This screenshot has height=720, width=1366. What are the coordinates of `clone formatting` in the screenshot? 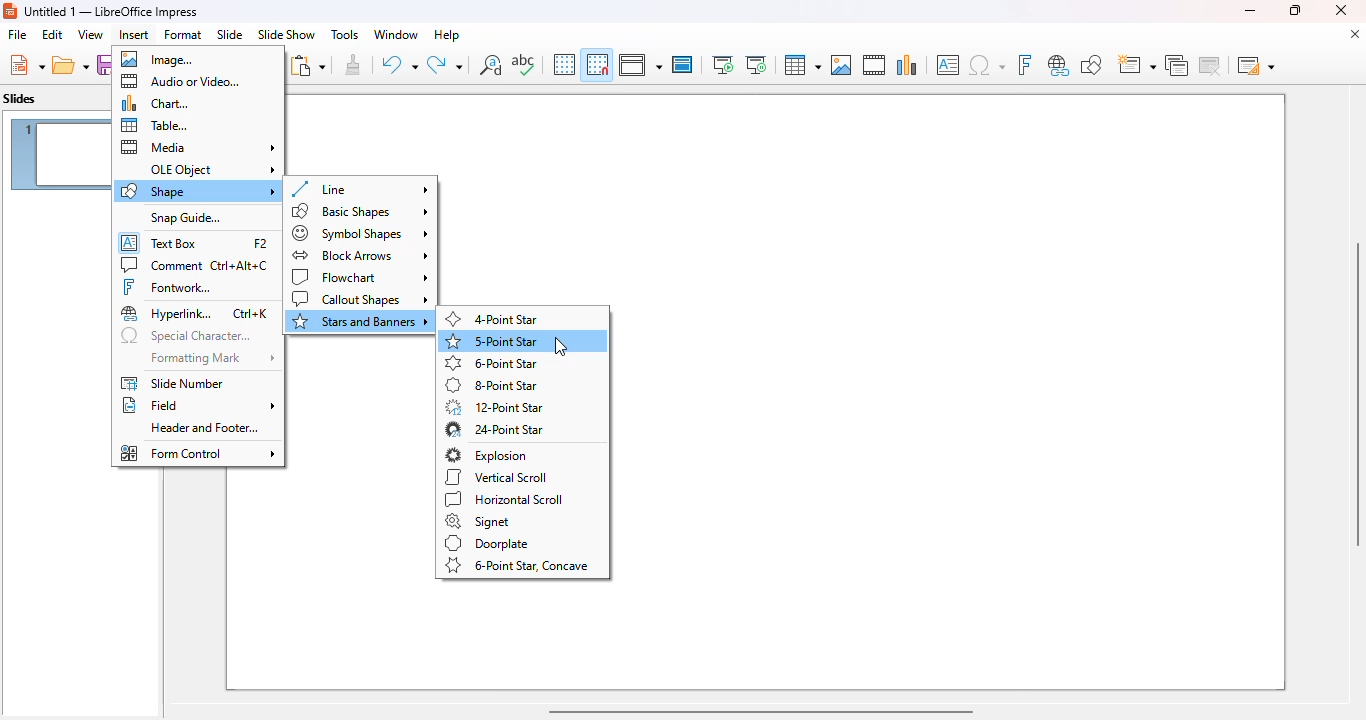 It's located at (354, 65).